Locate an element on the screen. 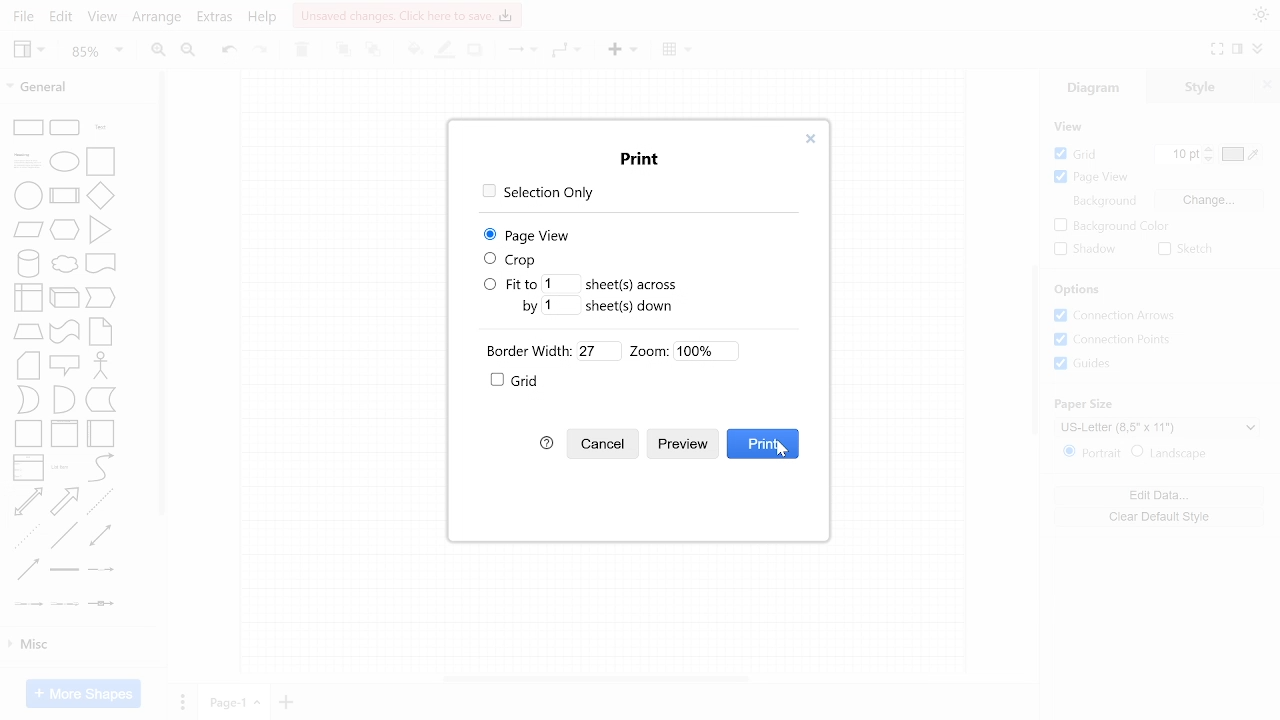 Image resolution: width=1280 pixels, height=720 pixels. Vertical slide bar is located at coordinates (1035, 349).